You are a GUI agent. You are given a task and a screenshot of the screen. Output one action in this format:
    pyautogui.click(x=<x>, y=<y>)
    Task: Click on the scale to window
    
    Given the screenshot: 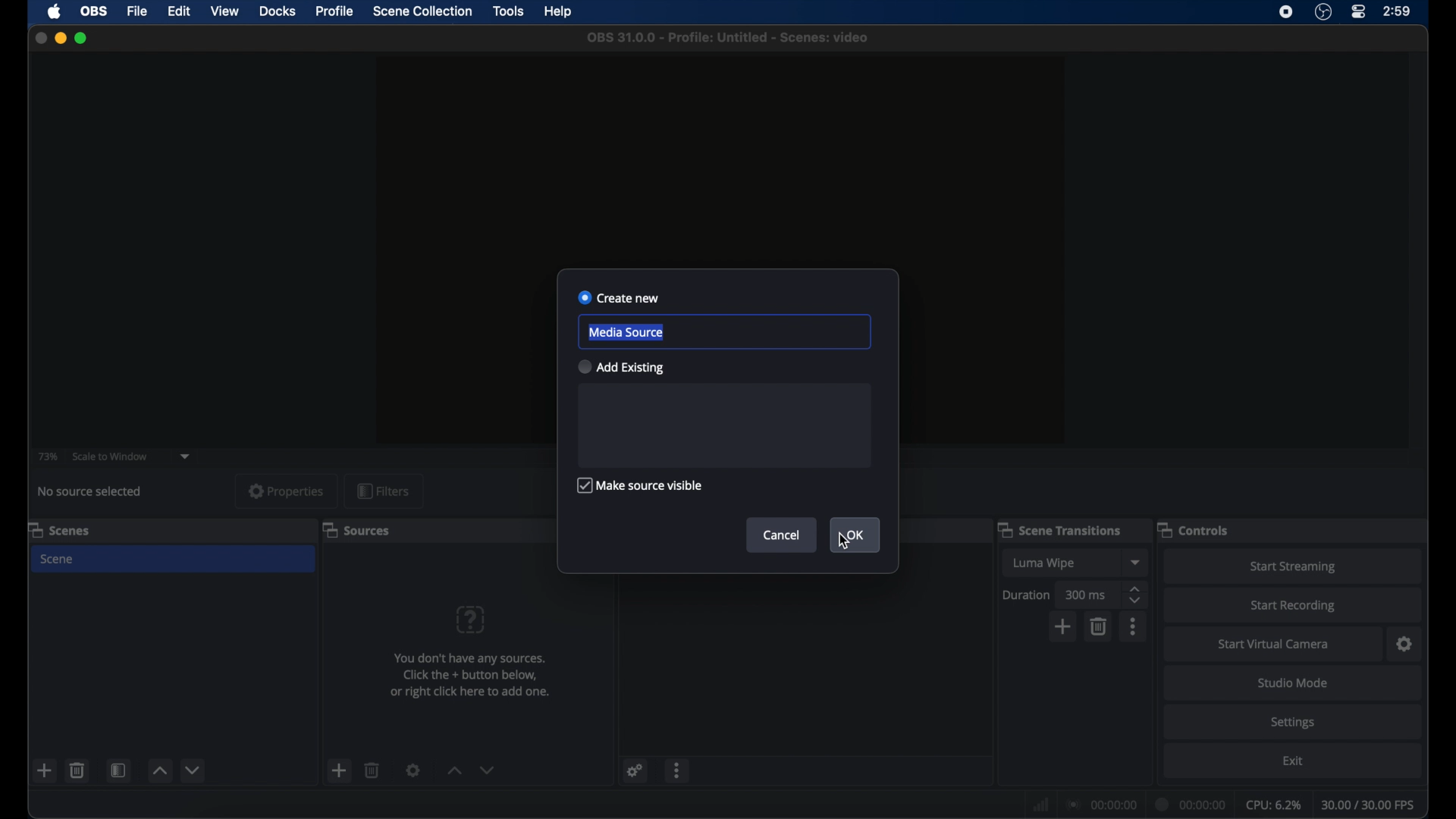 What is the action you would take?
    pyautogui.click(x=112, y=456)
    